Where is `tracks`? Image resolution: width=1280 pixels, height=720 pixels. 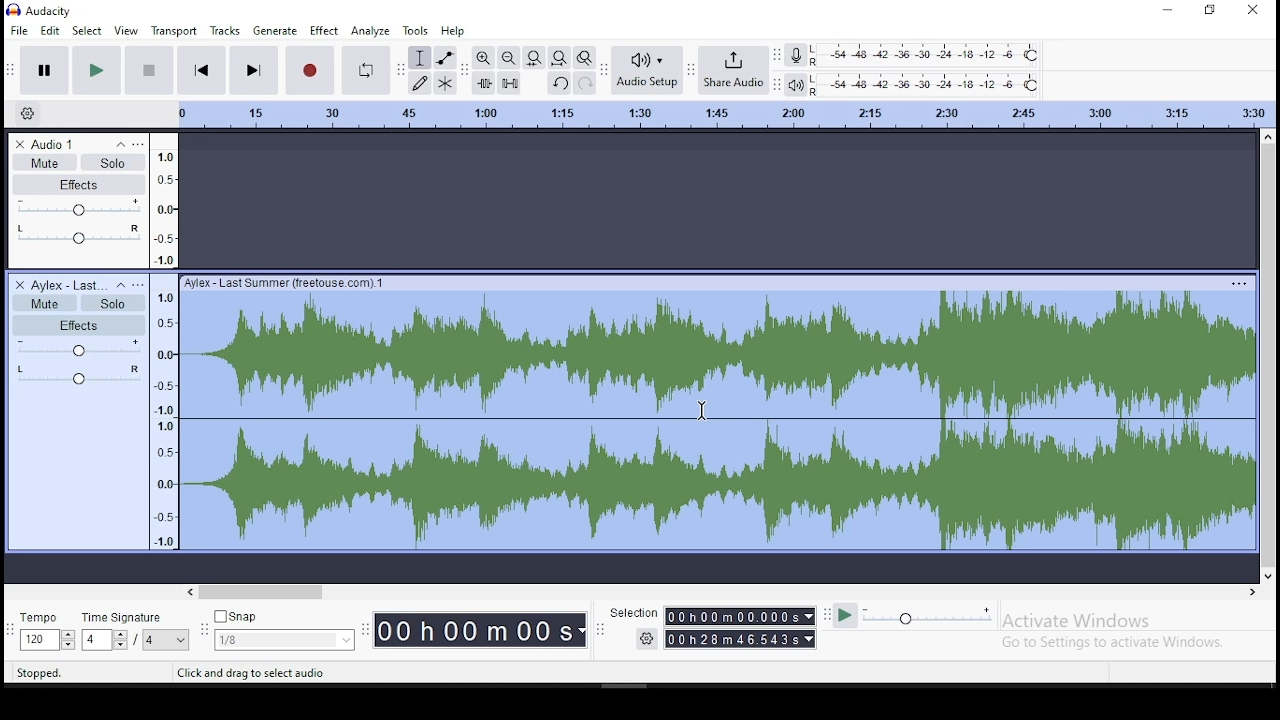 tracks is located at coordinates (225, 30).